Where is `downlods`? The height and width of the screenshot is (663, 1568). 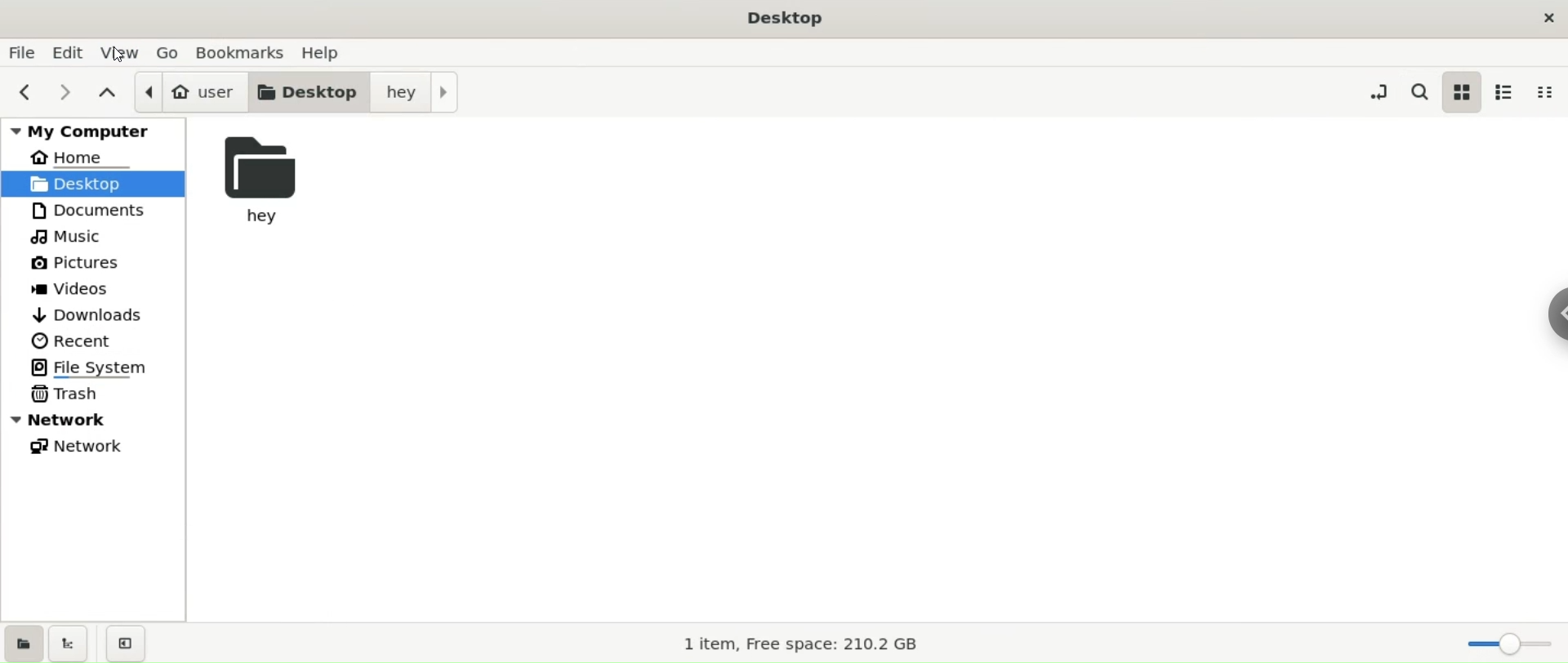 downlods is located at coordinates (100, 316).